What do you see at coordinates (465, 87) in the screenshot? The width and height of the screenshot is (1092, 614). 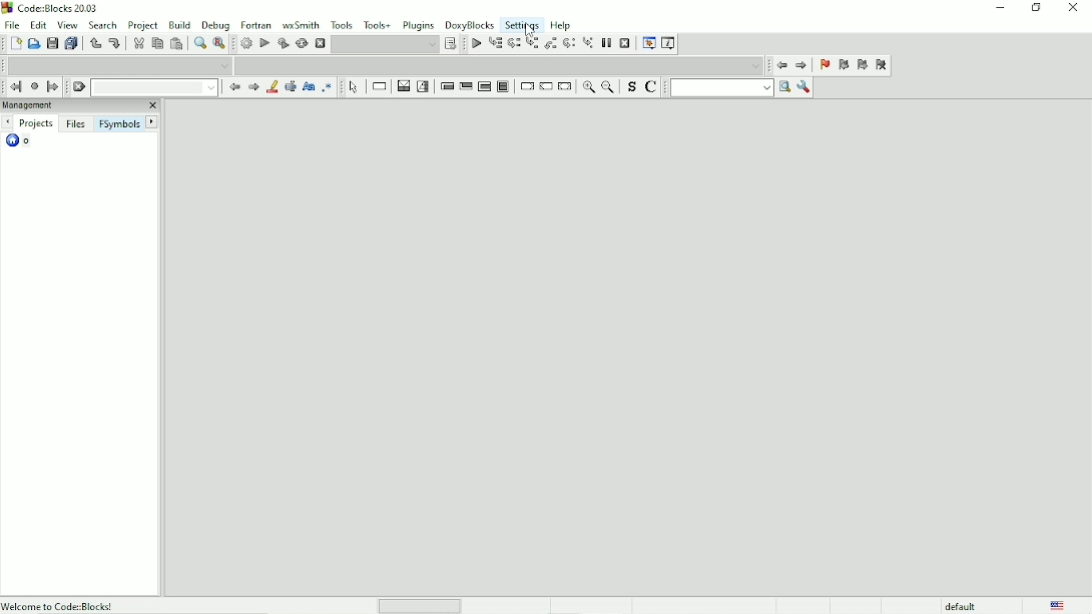 I see `Exit-condition loop` at bounding box center [465, 87].